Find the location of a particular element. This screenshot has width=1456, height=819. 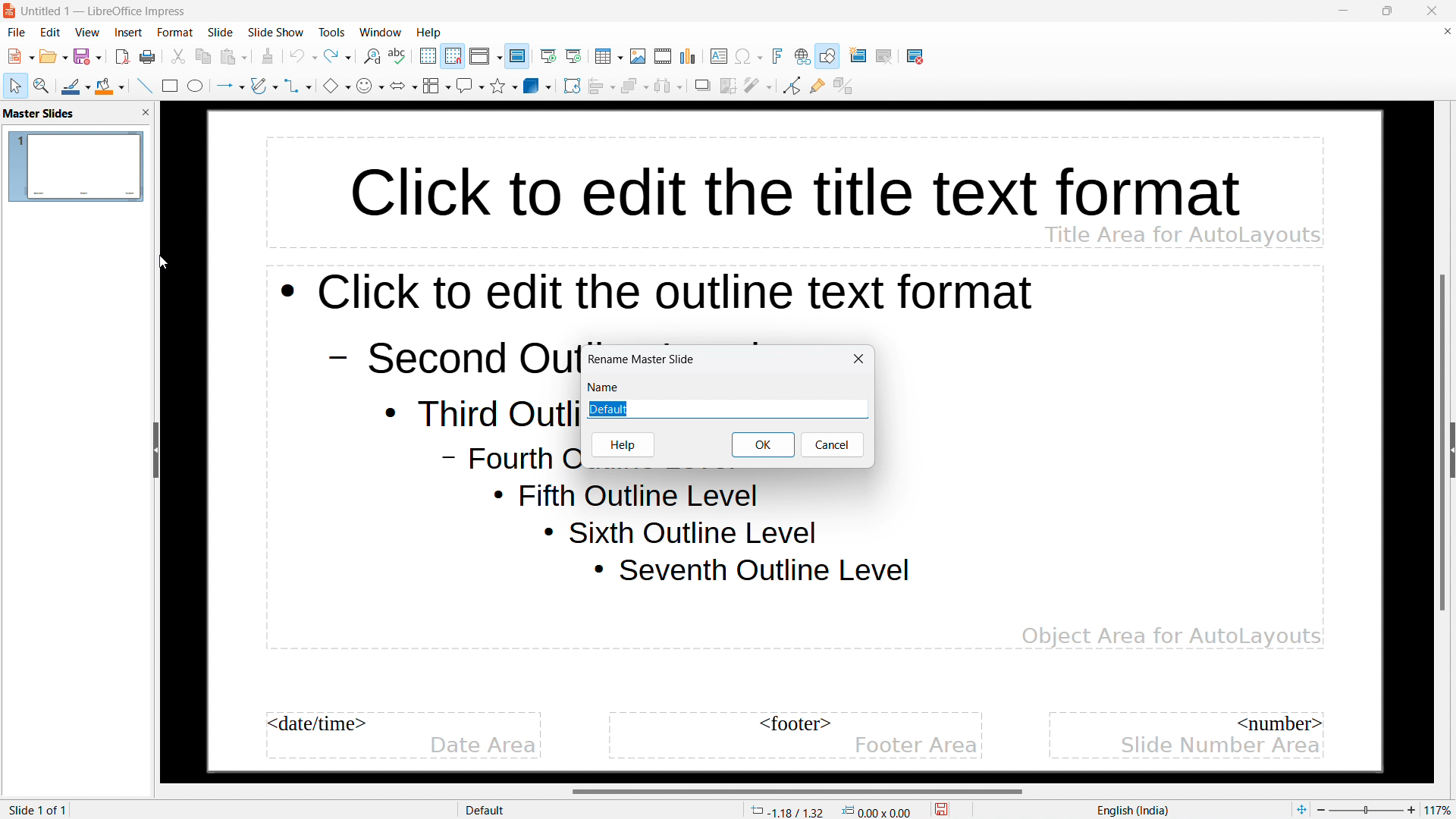

cursor coordinates is located at coordinates (788, 809).